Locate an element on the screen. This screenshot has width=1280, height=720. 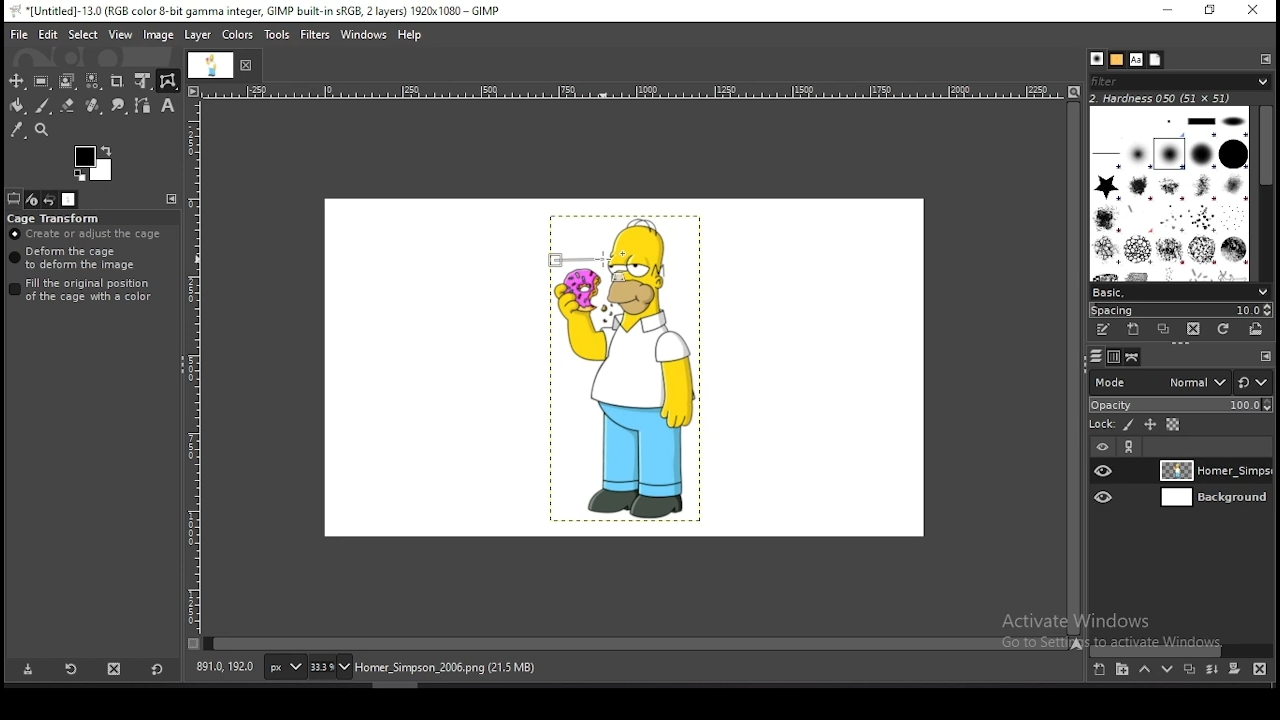
lock pixels is located at coordinates (1127, 426).